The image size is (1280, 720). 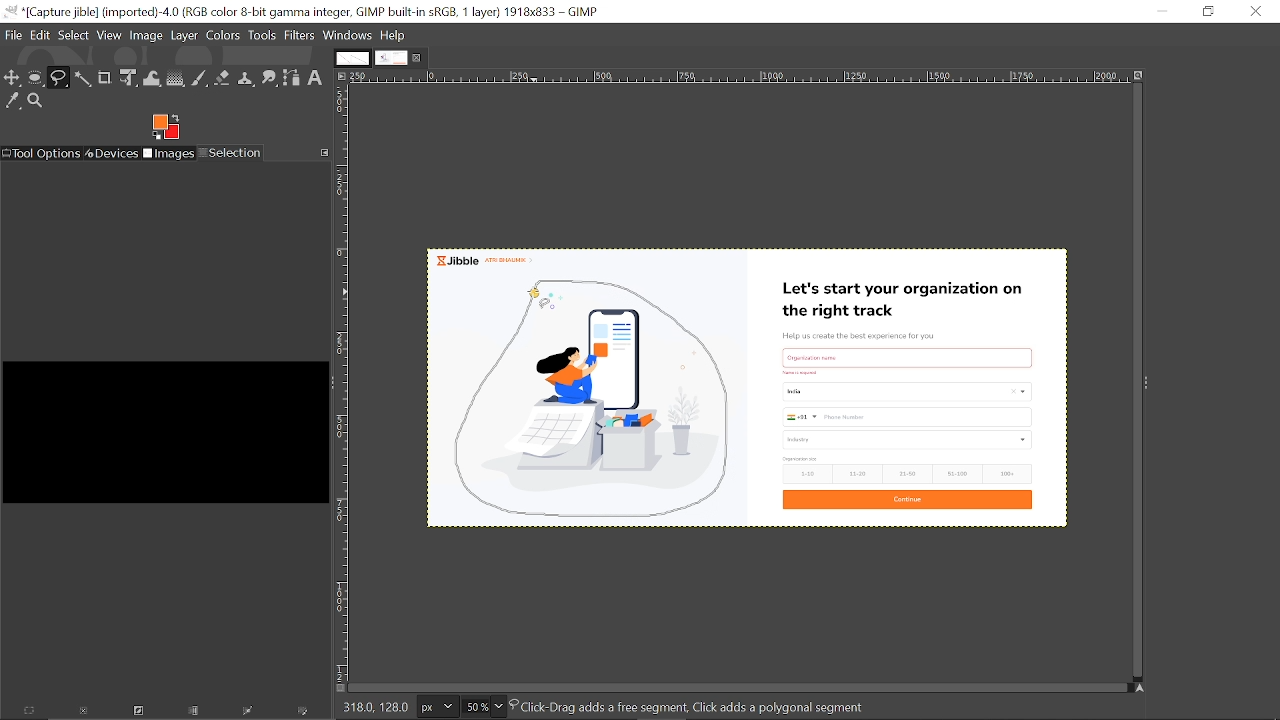 What do you see at coordinates (270, 77) in the screenshot?
I see `Smudge tool` at bounding box center [270, 77].